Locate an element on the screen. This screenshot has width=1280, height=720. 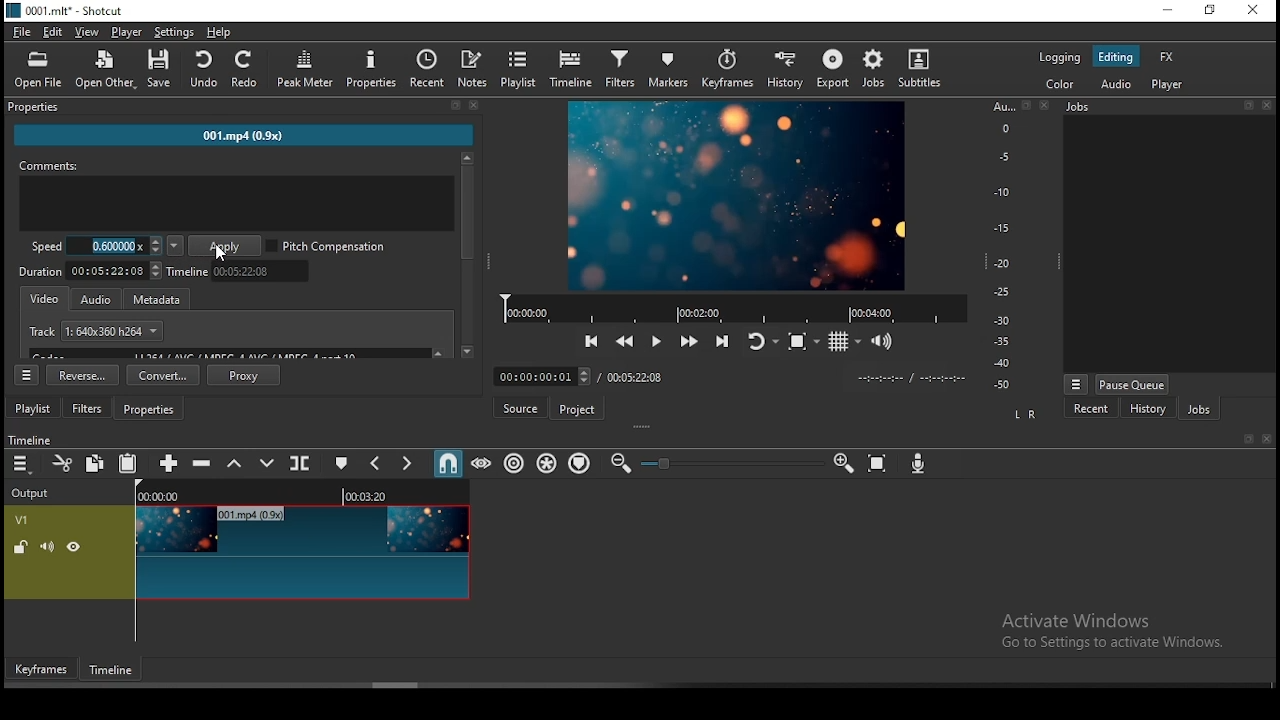
source is located at coordinates (523, 407).